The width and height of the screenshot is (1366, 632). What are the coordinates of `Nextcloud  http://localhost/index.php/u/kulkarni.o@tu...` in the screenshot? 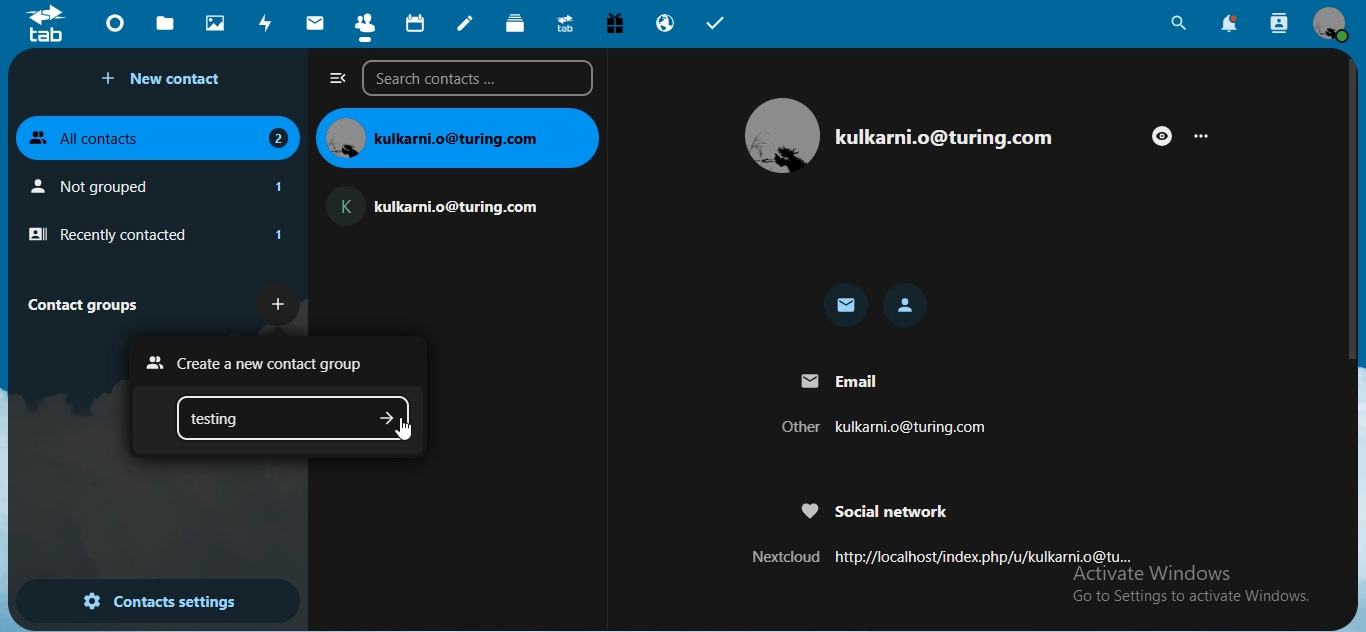 It's located at (935, 558).